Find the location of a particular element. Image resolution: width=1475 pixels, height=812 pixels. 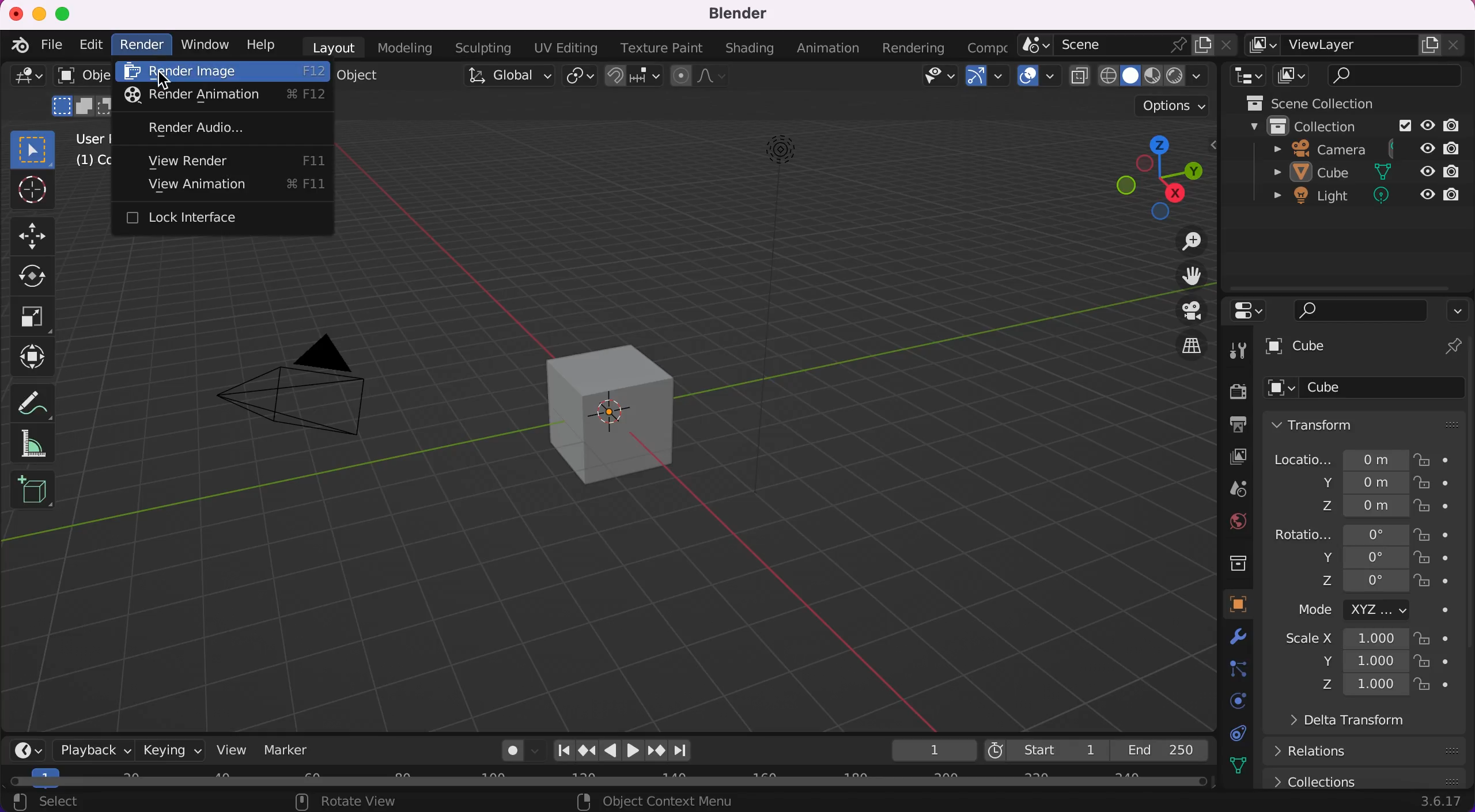

add cube is located at coordinates (33, 494).